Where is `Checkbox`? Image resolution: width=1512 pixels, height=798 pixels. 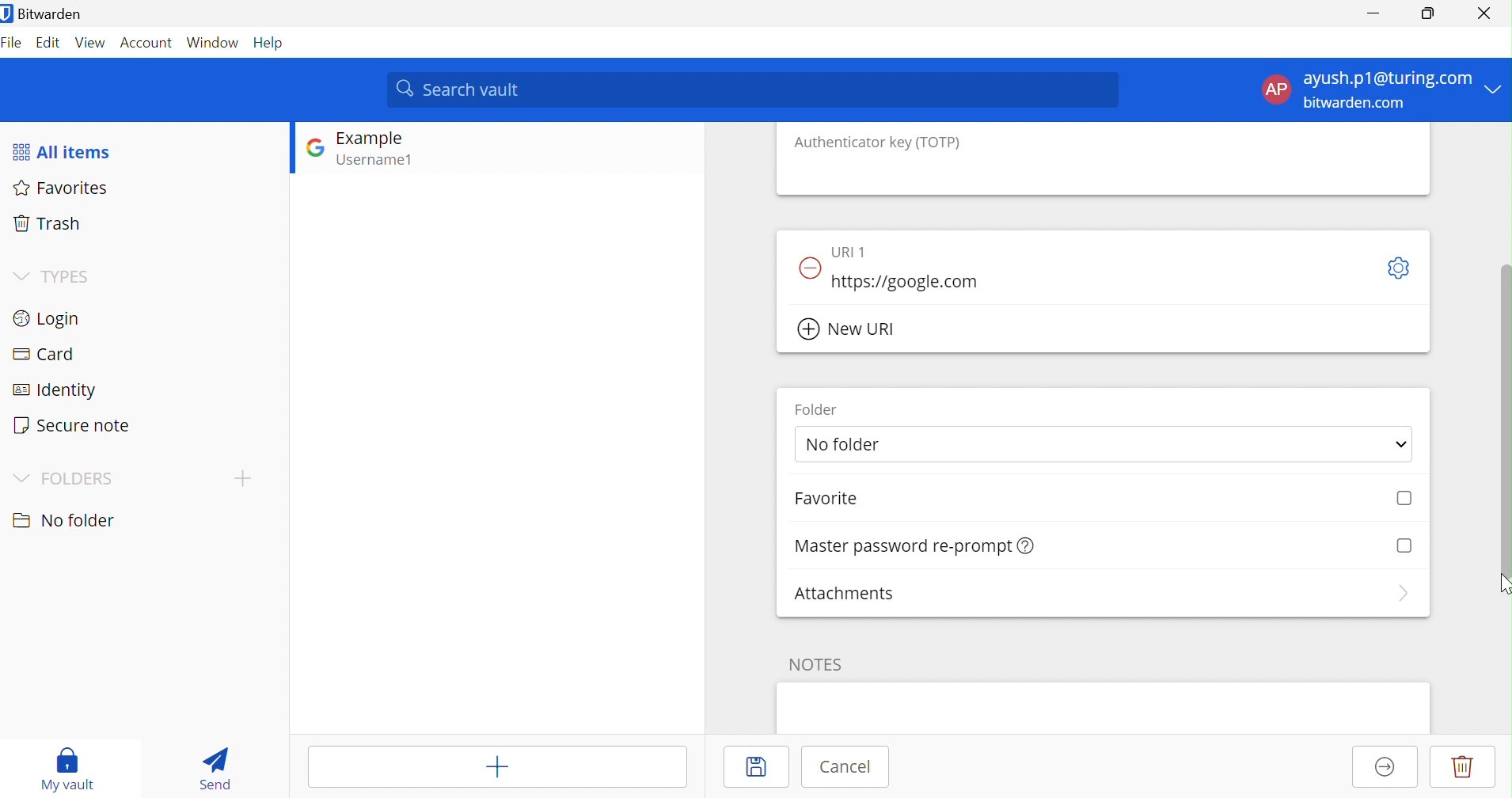 Checkbox is located at coordinates (1405, 543).